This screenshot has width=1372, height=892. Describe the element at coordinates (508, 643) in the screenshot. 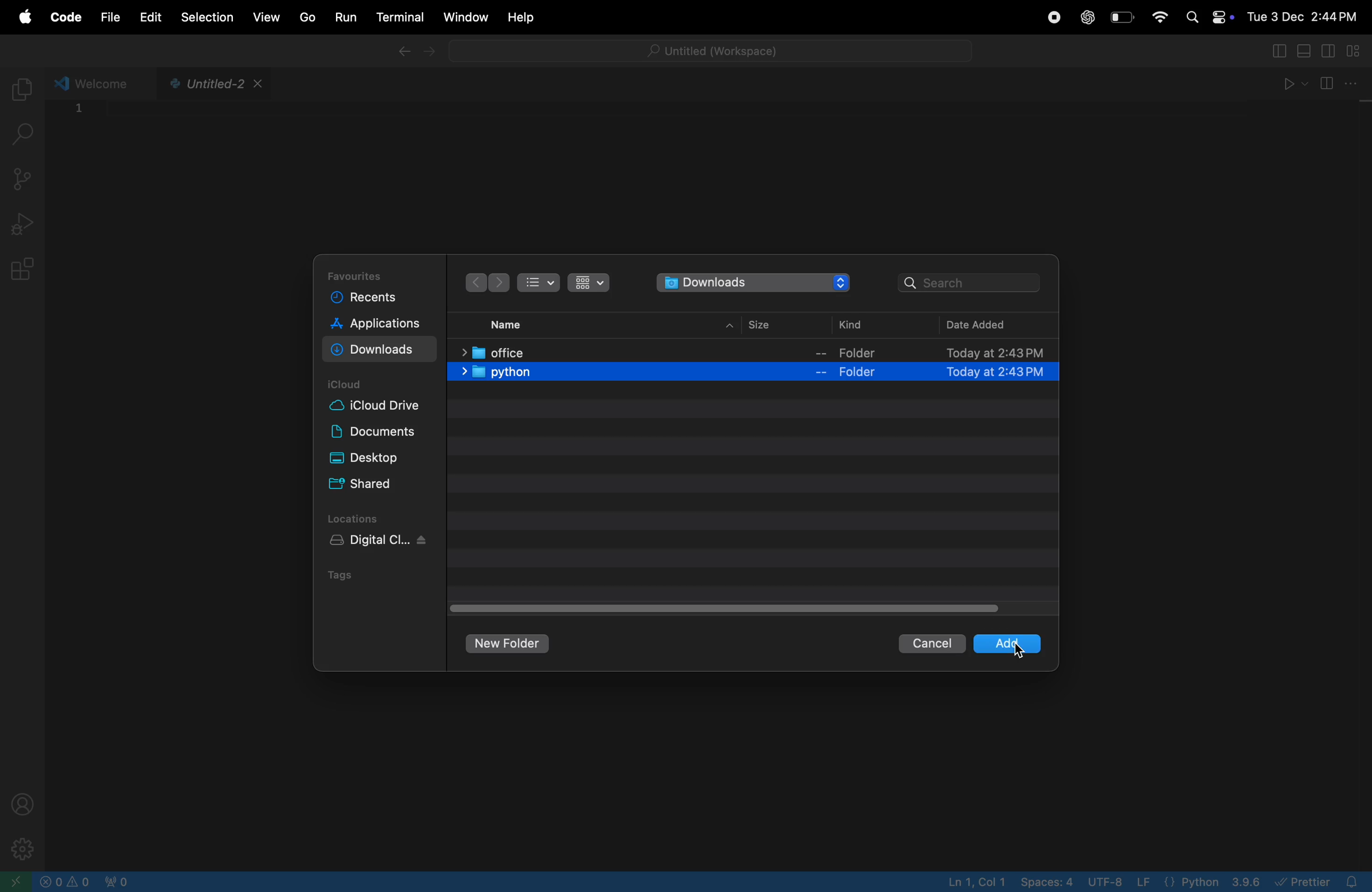

I see `new folder` at that location.